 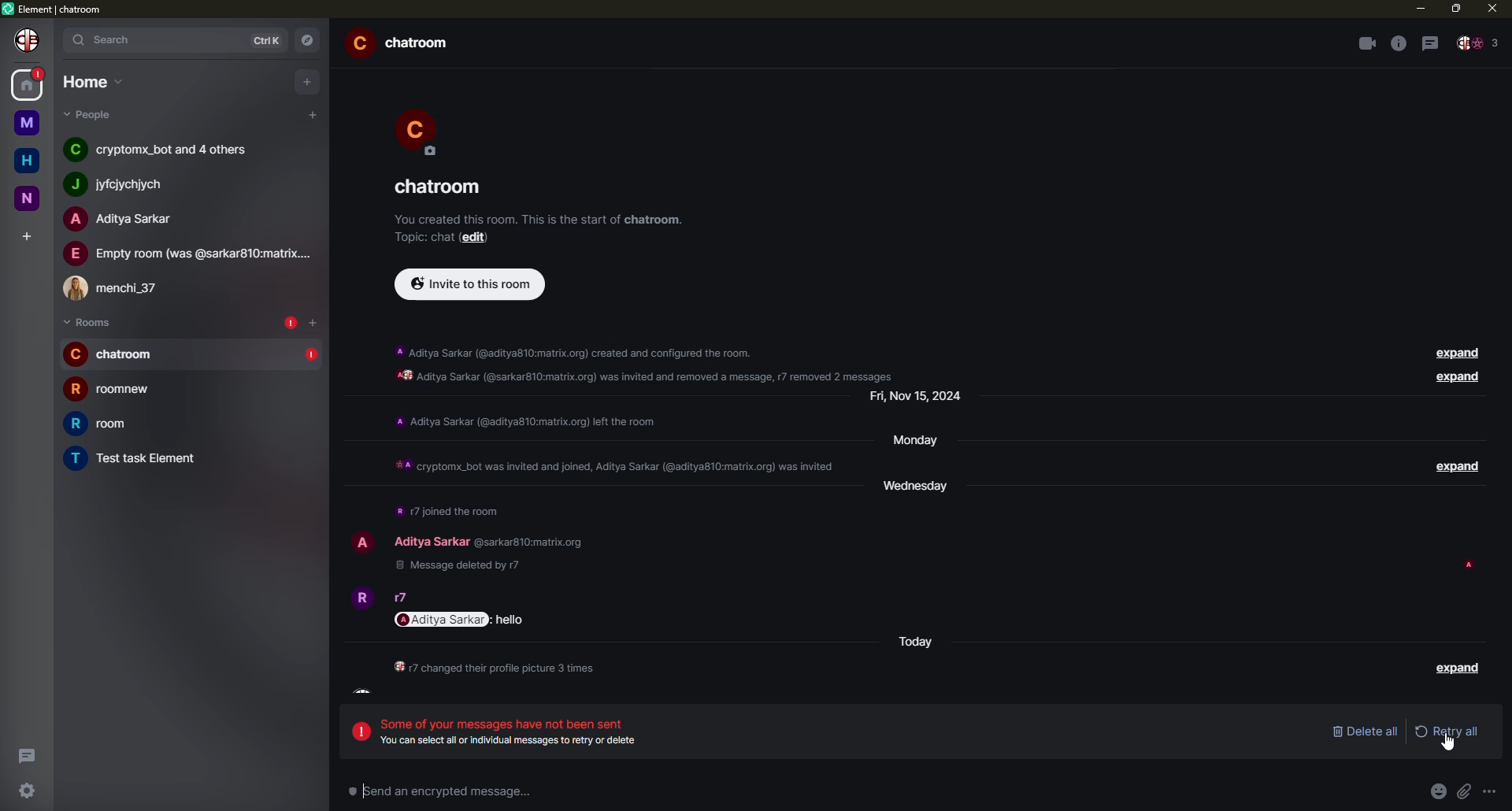 What do you see at coordinates (1467, 791) in the screenshot?
I see `attach` at bounding box center [1467, 791].